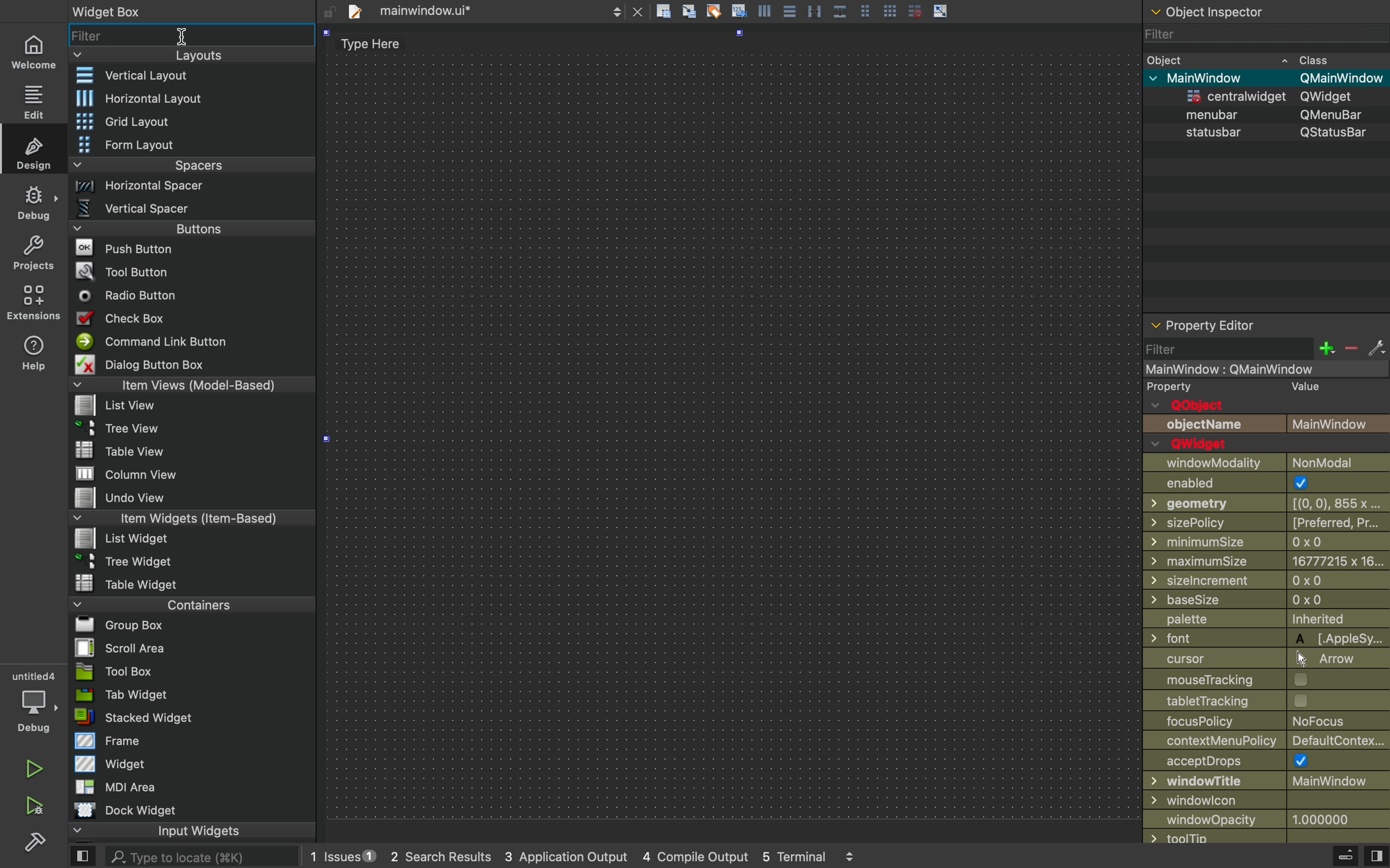  Describe the element at coordinates (191, 696) in the screenshot. I see `tab widget` at that location.